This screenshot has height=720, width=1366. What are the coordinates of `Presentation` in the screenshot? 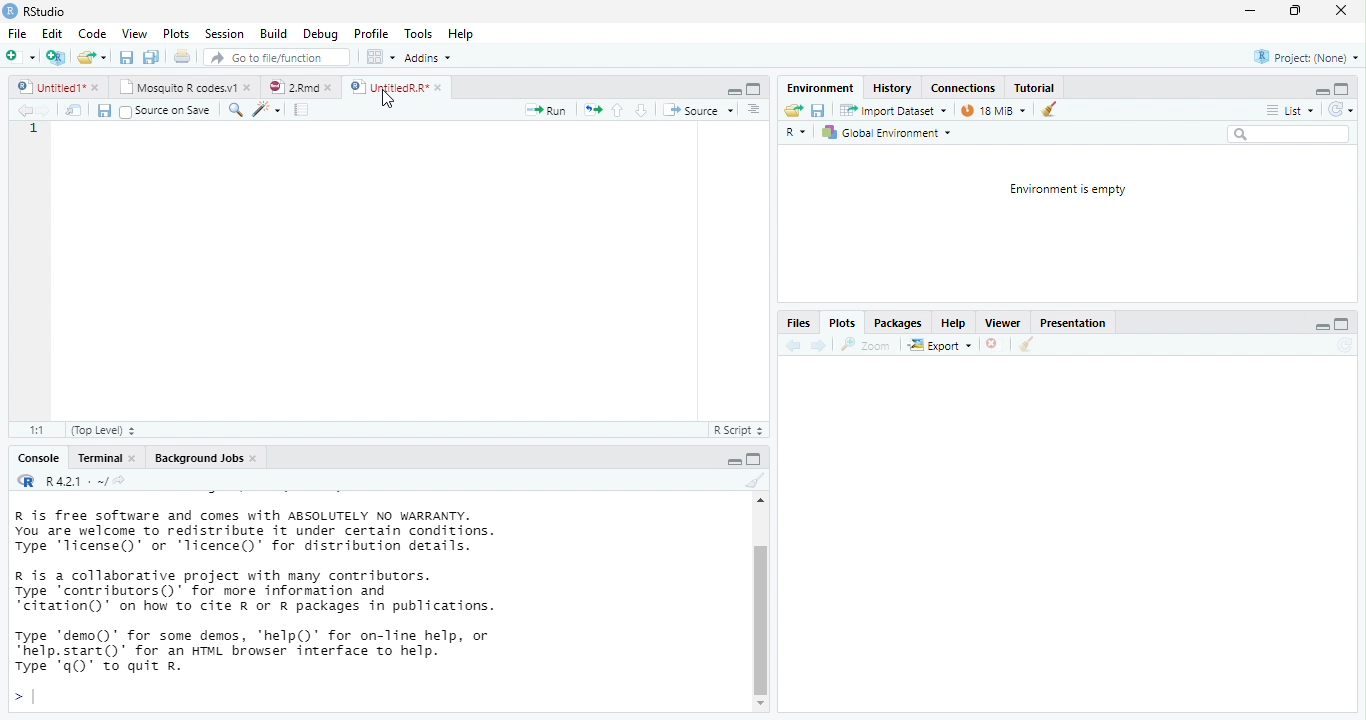 It's located at (1071, 325).